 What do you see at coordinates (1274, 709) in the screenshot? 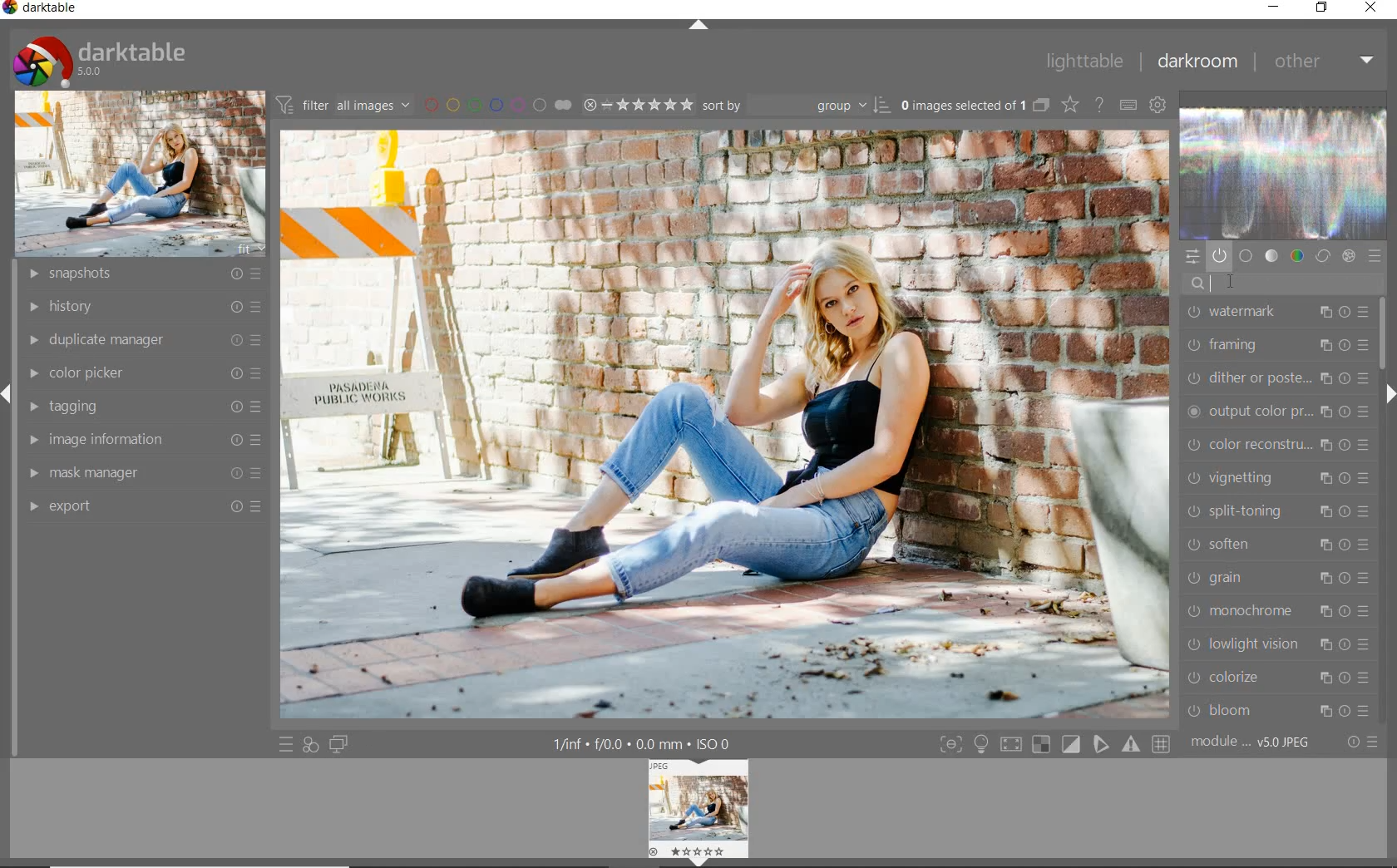
I see `bloom` at bounding box center [1274, 709].